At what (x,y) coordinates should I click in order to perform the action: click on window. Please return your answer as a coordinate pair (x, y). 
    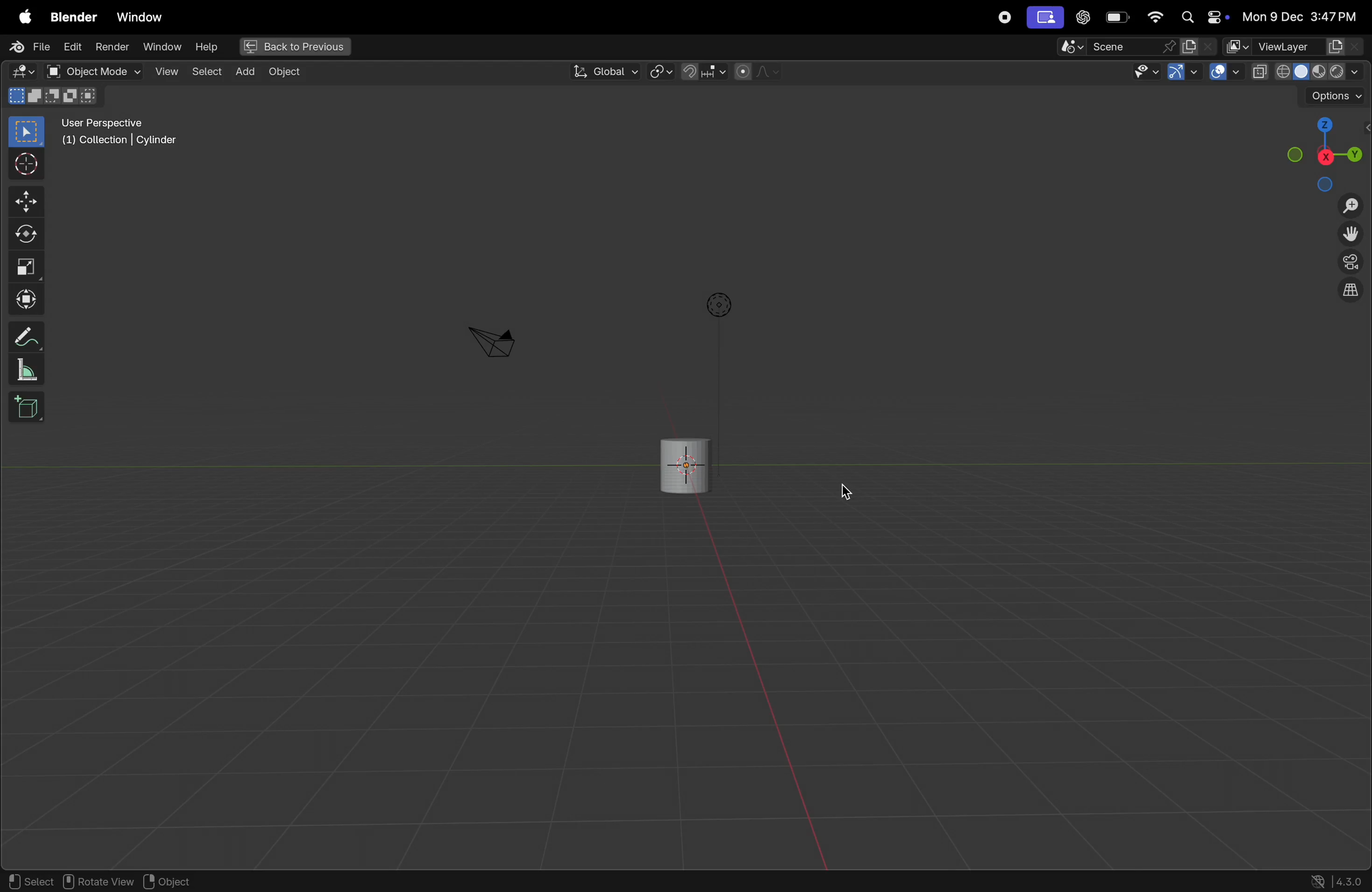
    Looking at the image, I should click on (161, 48).